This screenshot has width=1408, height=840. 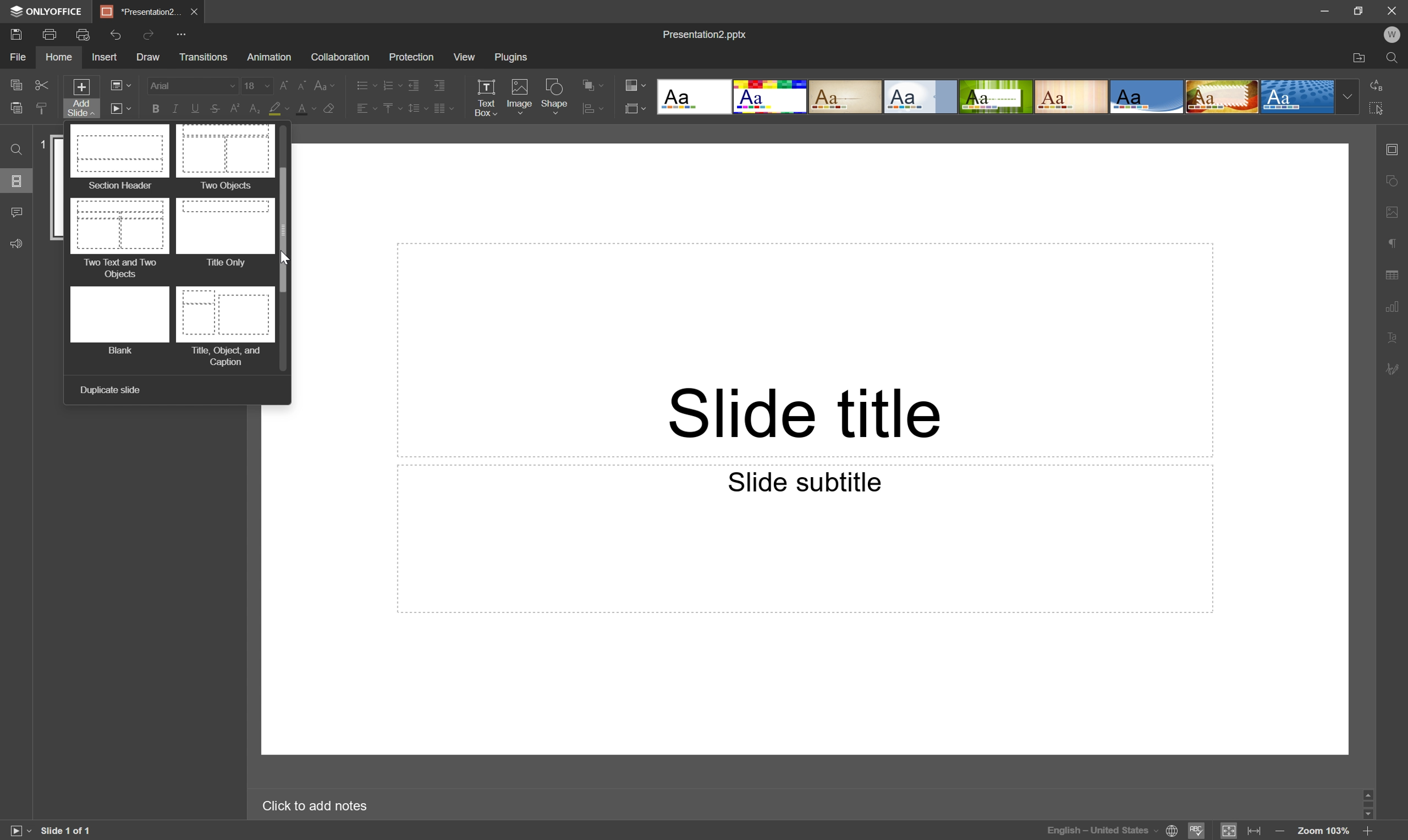 I want to click on Align shape, so click(x=595, y=82).